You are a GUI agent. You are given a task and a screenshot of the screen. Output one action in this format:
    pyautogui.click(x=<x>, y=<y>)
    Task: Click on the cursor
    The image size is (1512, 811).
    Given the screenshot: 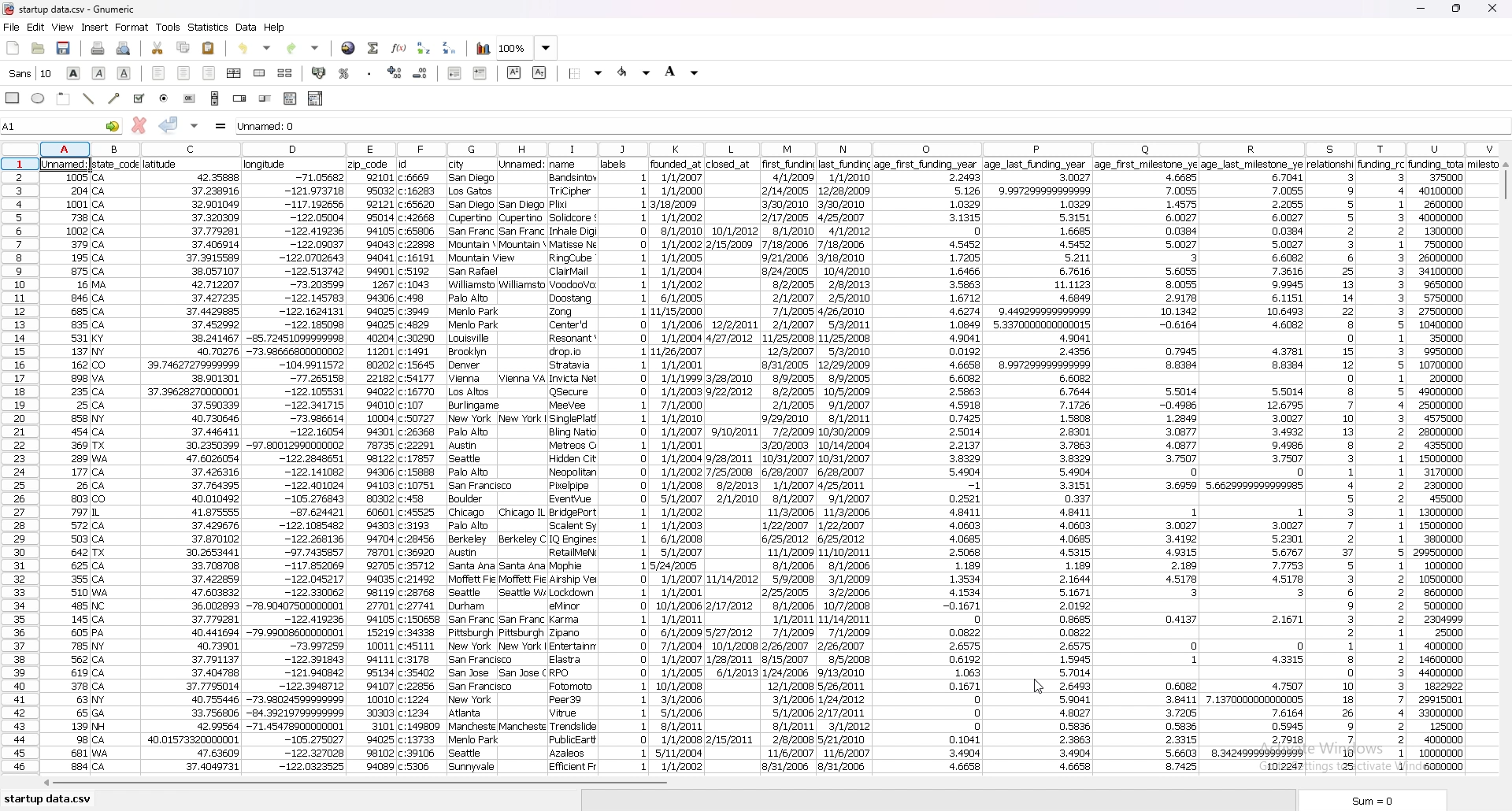 What is the action you would take?
    pyautogui.click(x=1038, y=685)
    